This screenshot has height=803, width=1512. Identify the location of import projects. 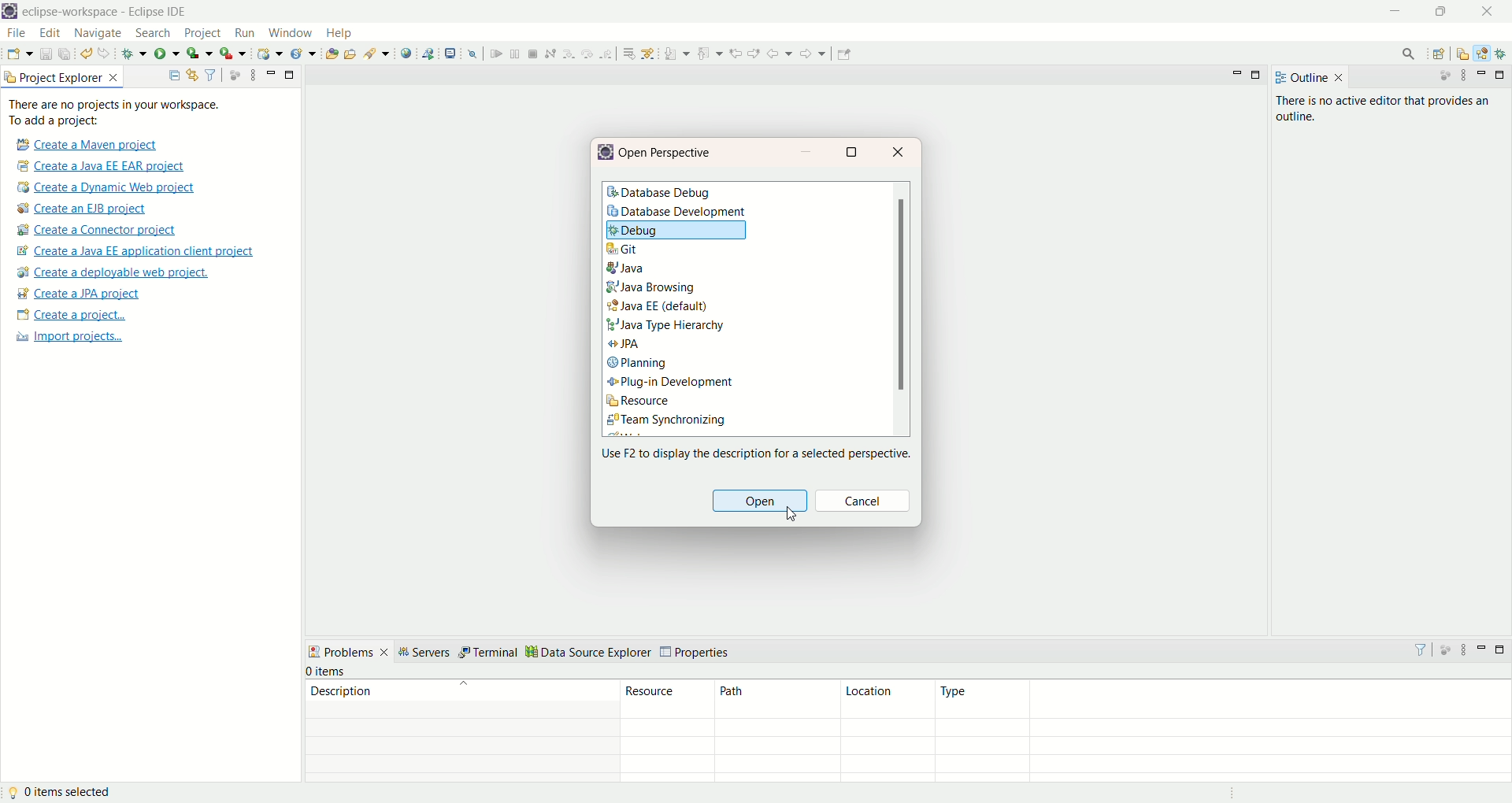
(70, 337).